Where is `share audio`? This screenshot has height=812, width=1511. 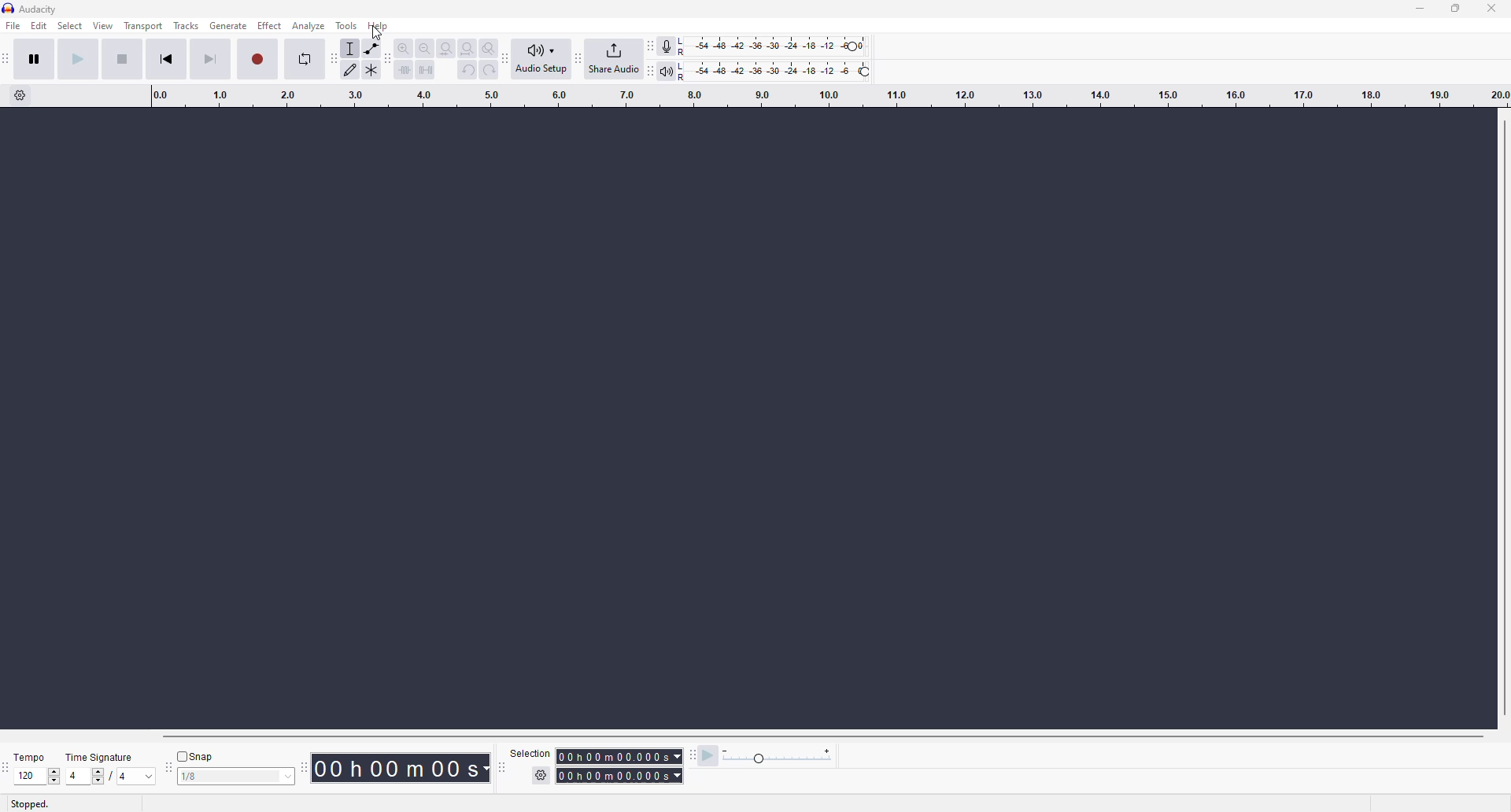 share audio is located at coordinates (622, 58).